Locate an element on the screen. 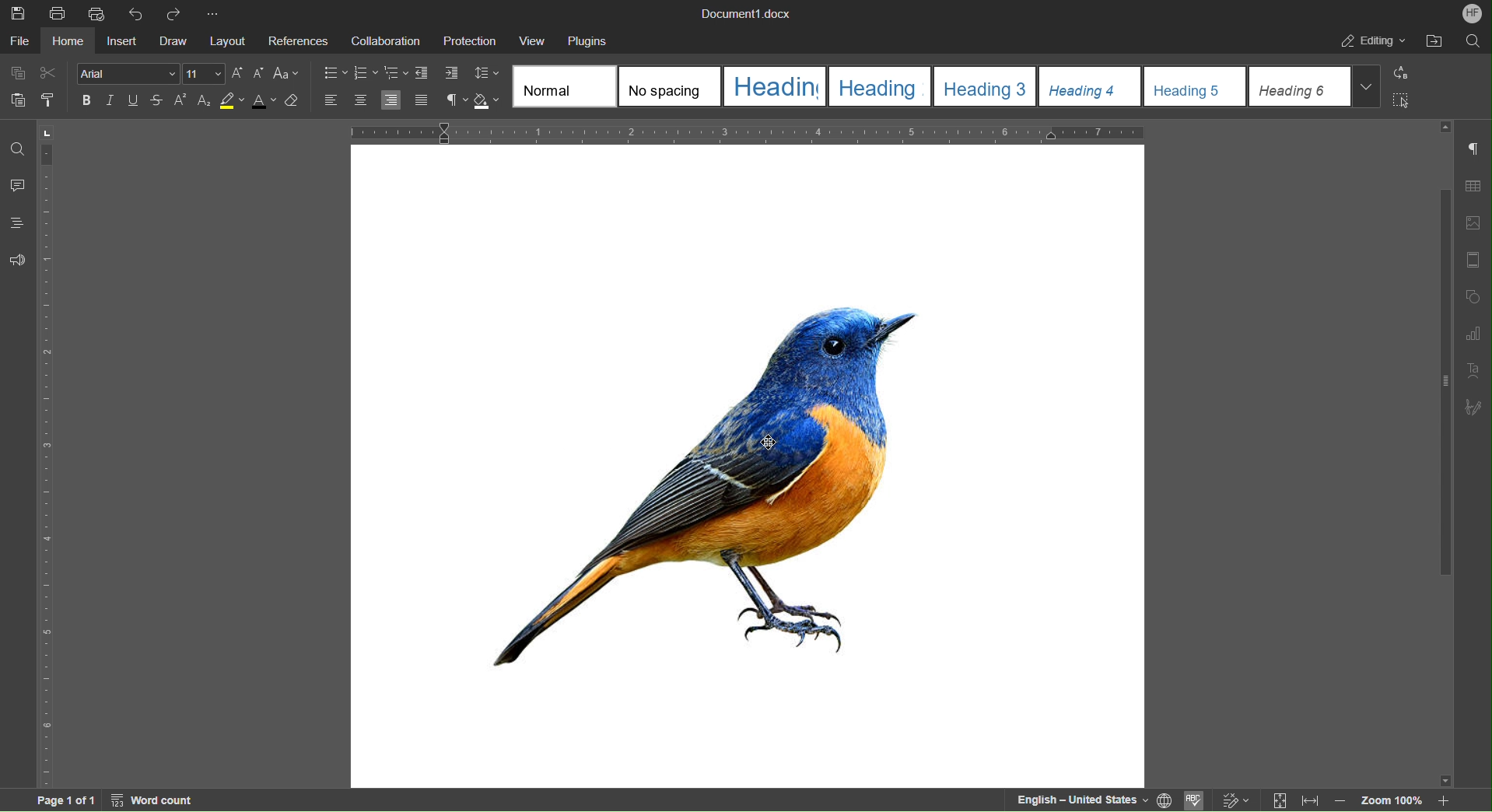  Subscript is located at coordinates (203, 101).